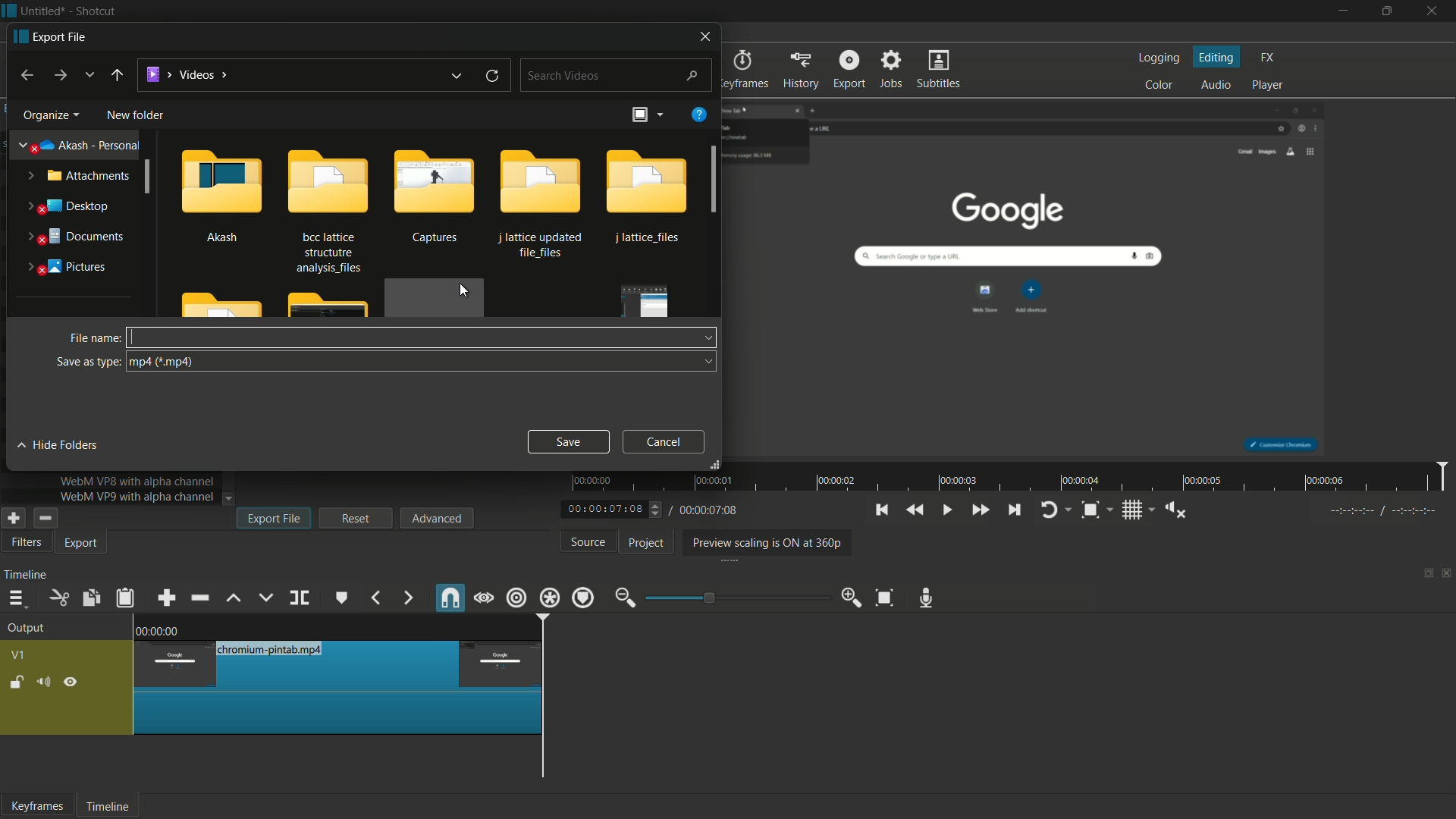  I want to click on adjustment bar, so click(739, 598).